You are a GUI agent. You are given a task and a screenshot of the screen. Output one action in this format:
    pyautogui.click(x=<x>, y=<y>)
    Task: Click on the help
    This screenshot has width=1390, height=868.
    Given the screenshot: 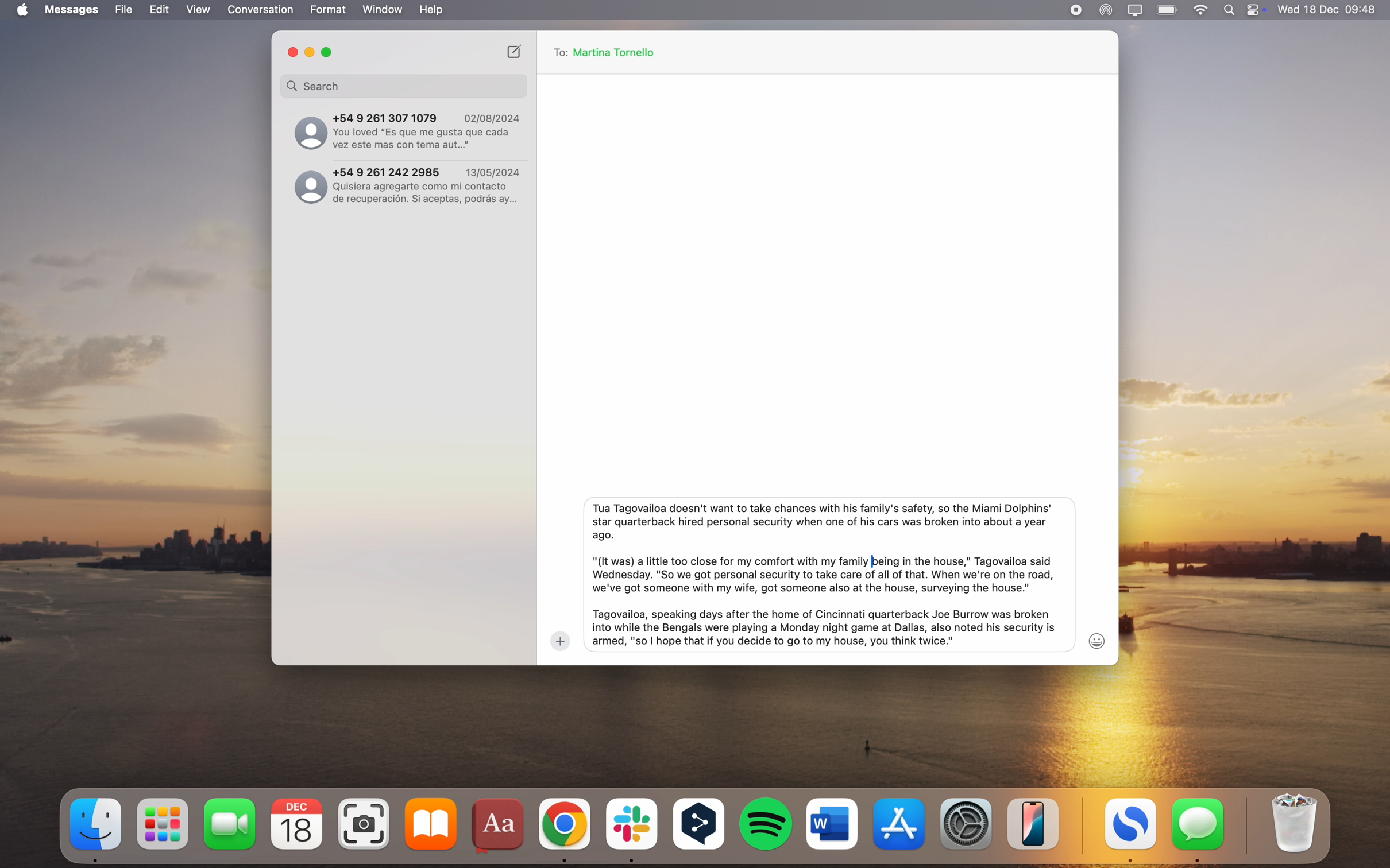 What is the action you would take?
    pyautogui.click(x=431, y=10)
    